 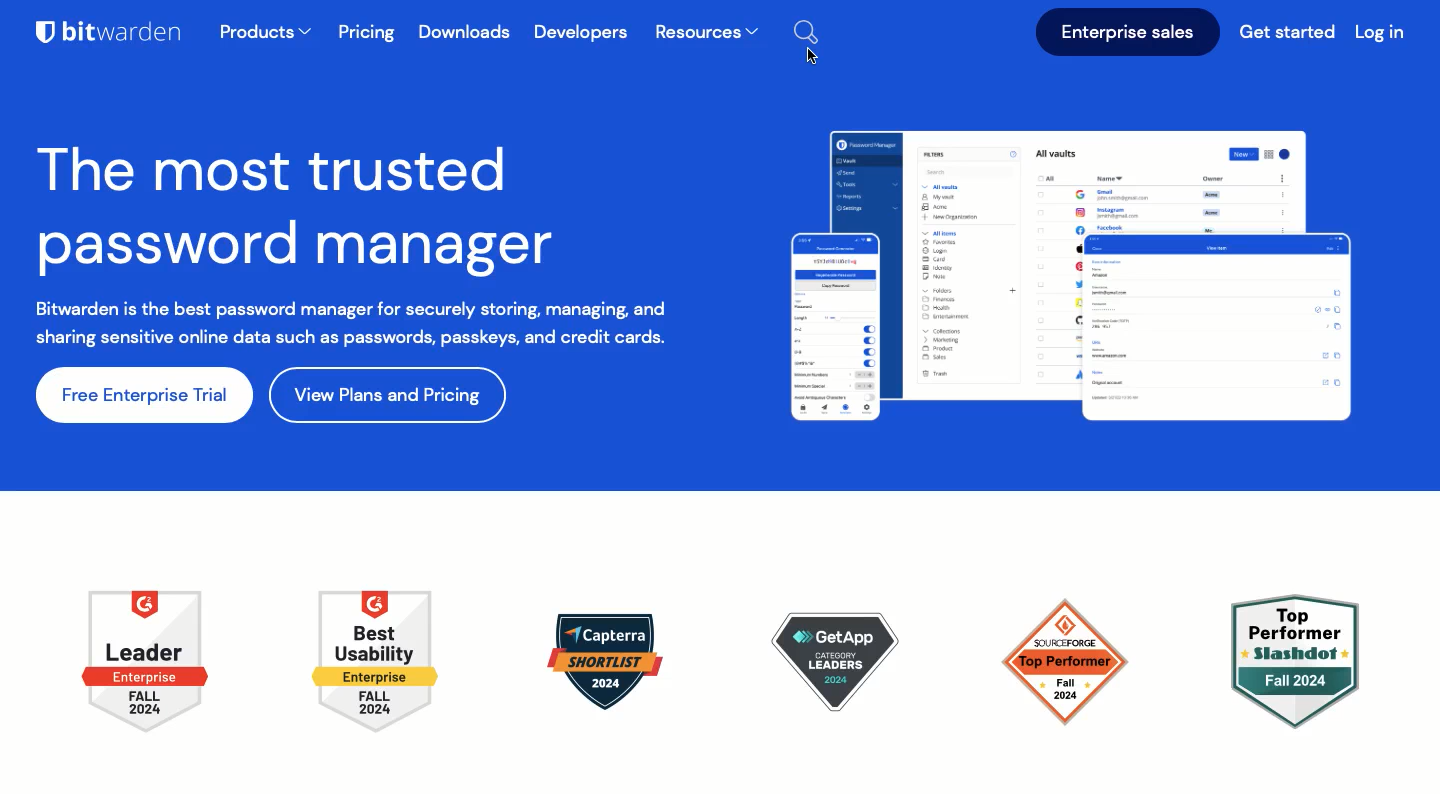 I want to click on Resources, so click(x=706, y=34).